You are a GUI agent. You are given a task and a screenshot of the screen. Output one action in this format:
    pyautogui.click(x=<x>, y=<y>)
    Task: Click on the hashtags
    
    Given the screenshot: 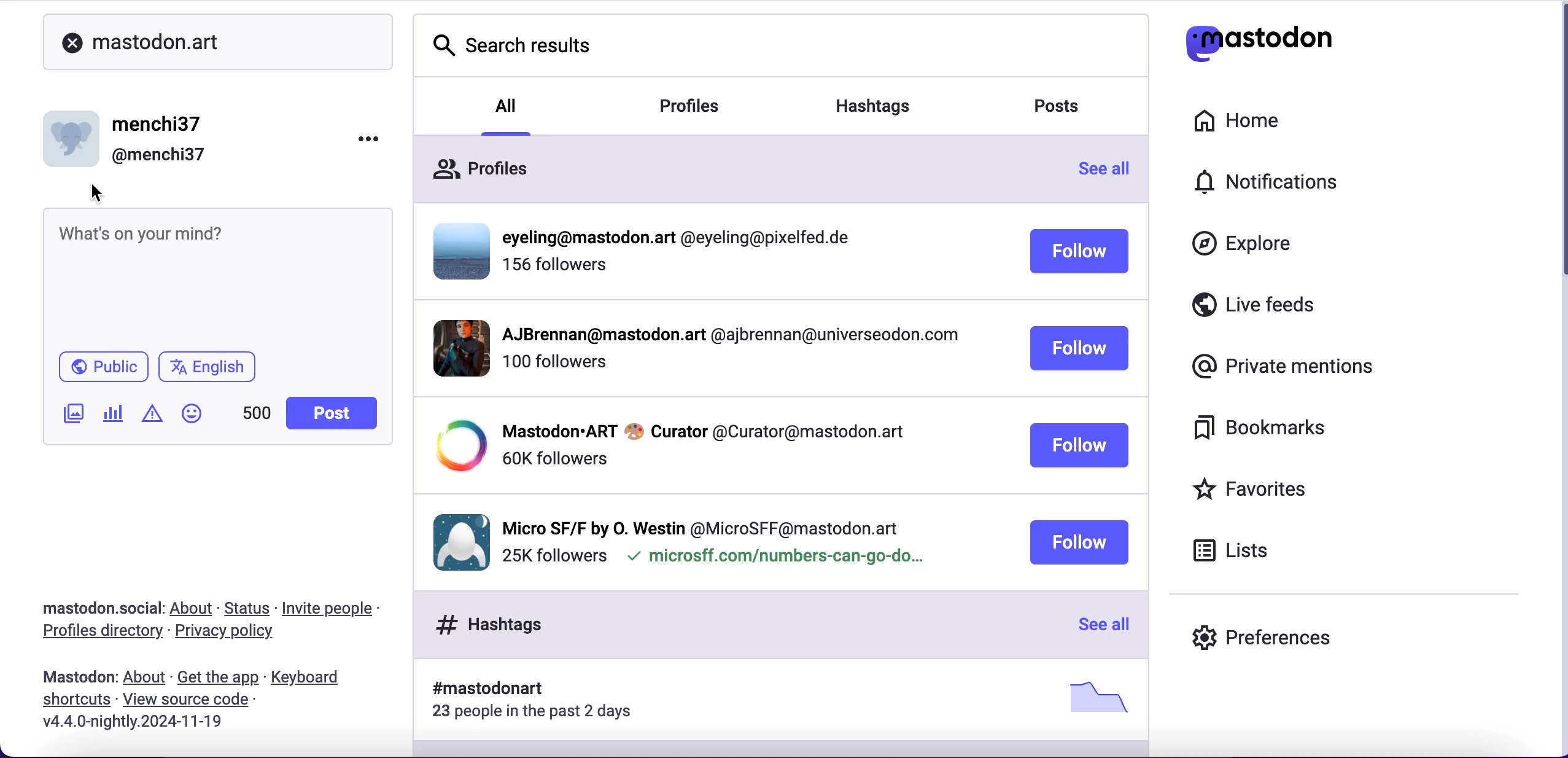 What is the action you would take?
    pyautogui.click(x=495, y=625)
    